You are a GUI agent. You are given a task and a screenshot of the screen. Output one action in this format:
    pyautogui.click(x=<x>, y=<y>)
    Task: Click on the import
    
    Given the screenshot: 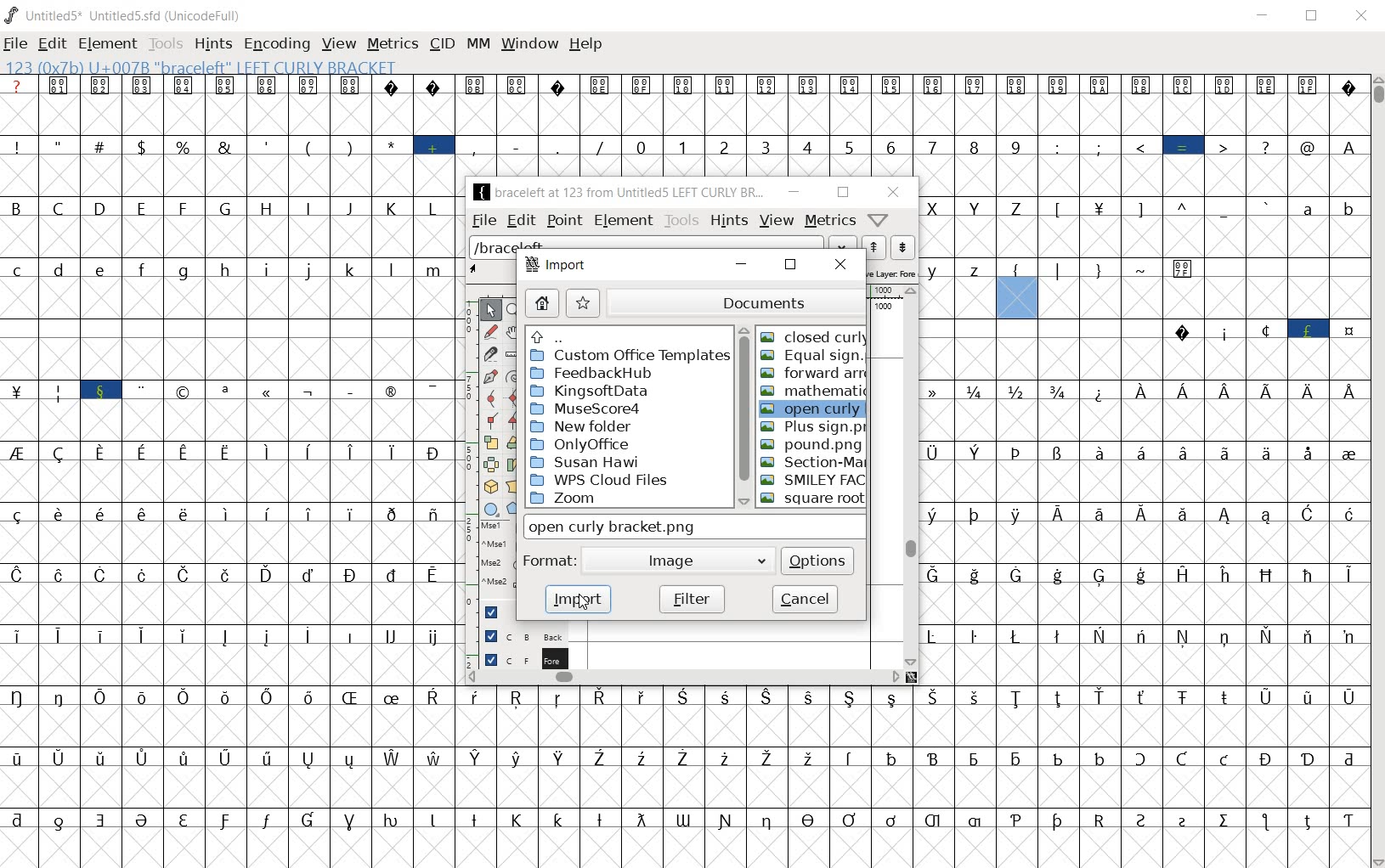 What is the action you would take?
    pyautogui.click(x=579, y=600)
    